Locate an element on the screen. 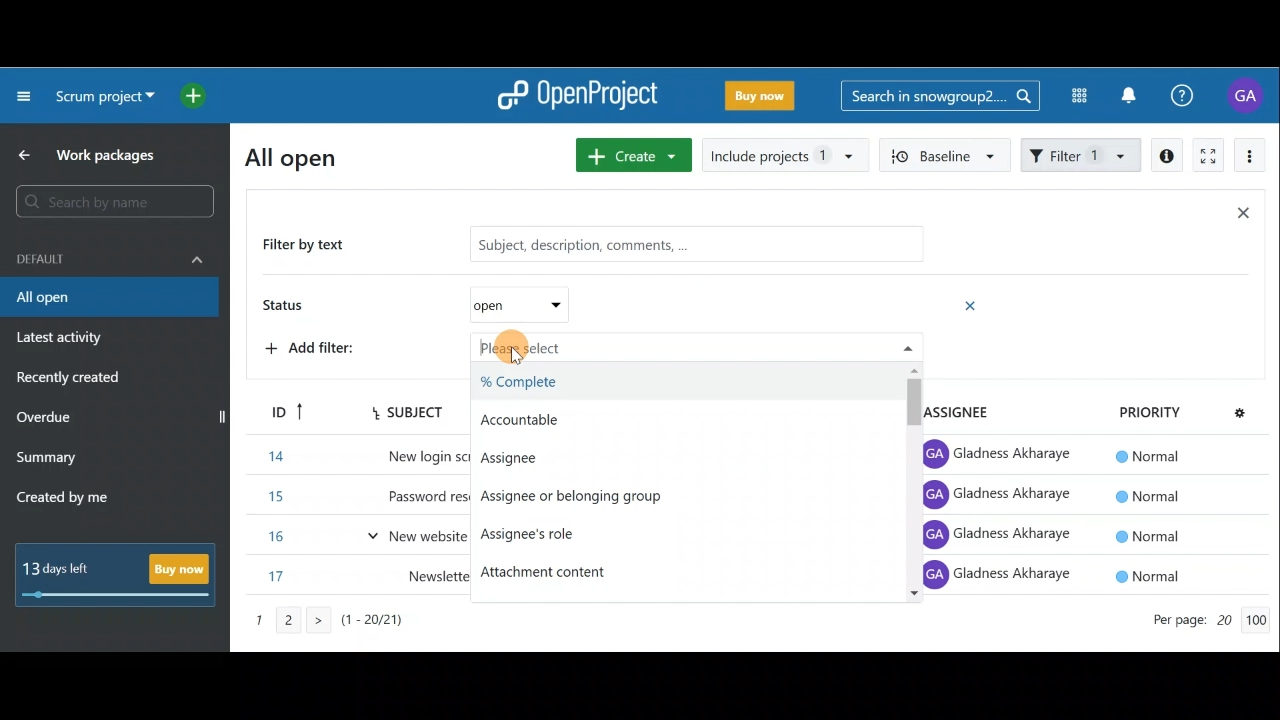  Item 16 is located at coordinates (351, 533).